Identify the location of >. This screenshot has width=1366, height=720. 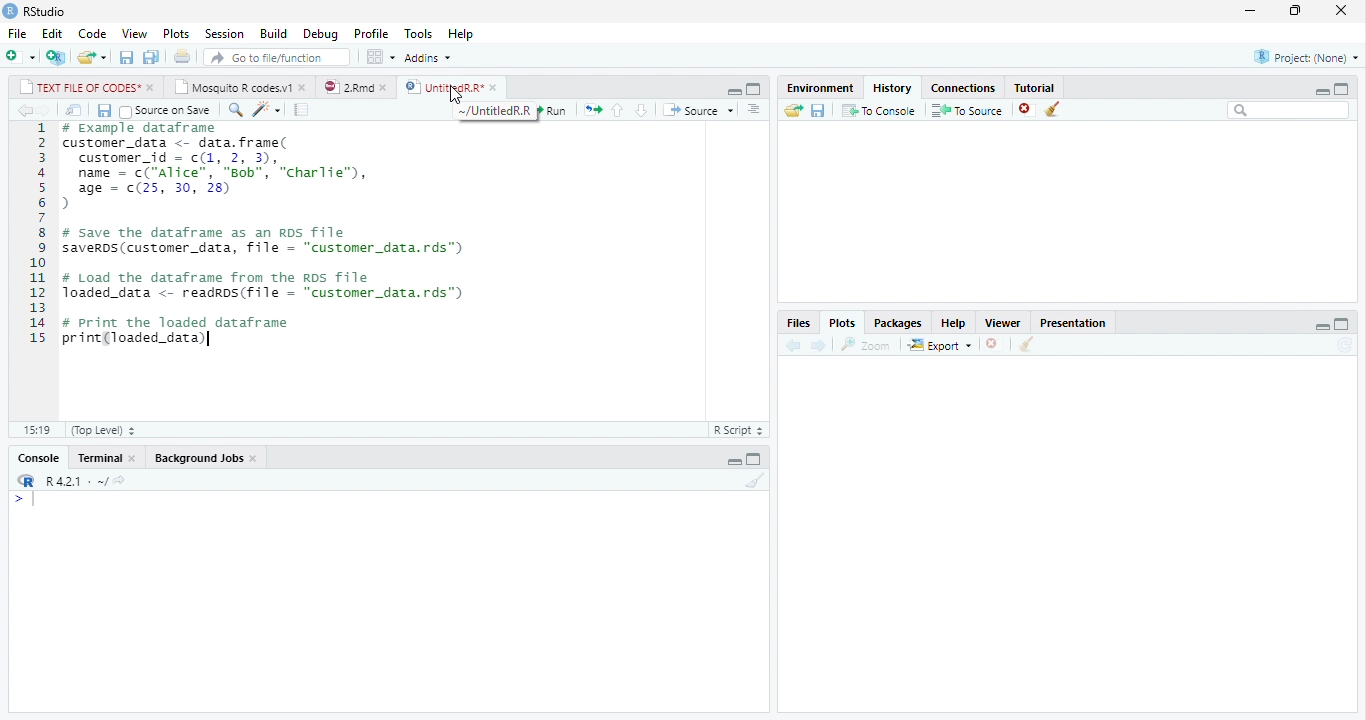
(26, 499).